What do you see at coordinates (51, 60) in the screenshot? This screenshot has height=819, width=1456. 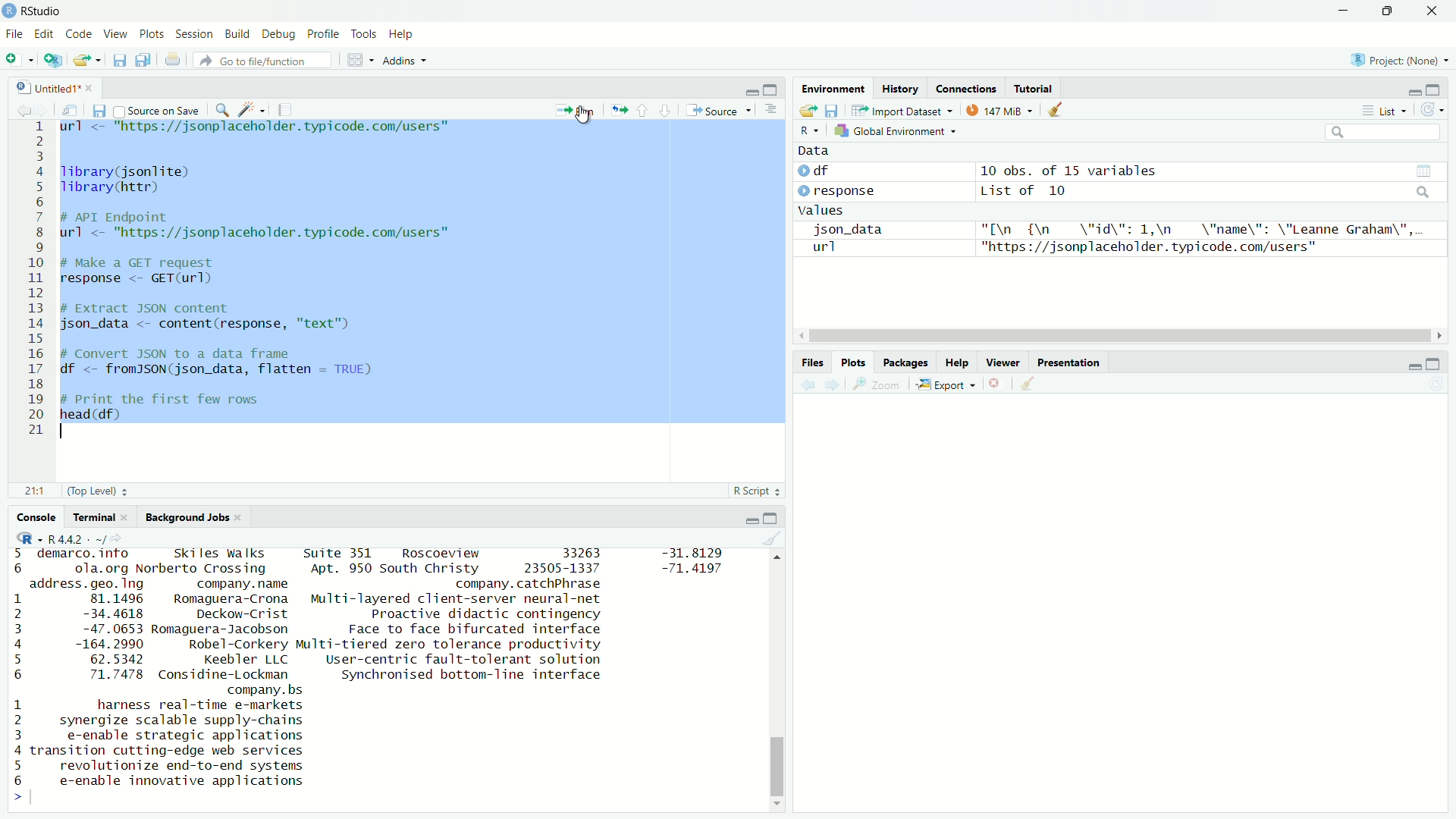 I see `Create a project` at bounding box center [51, 60].